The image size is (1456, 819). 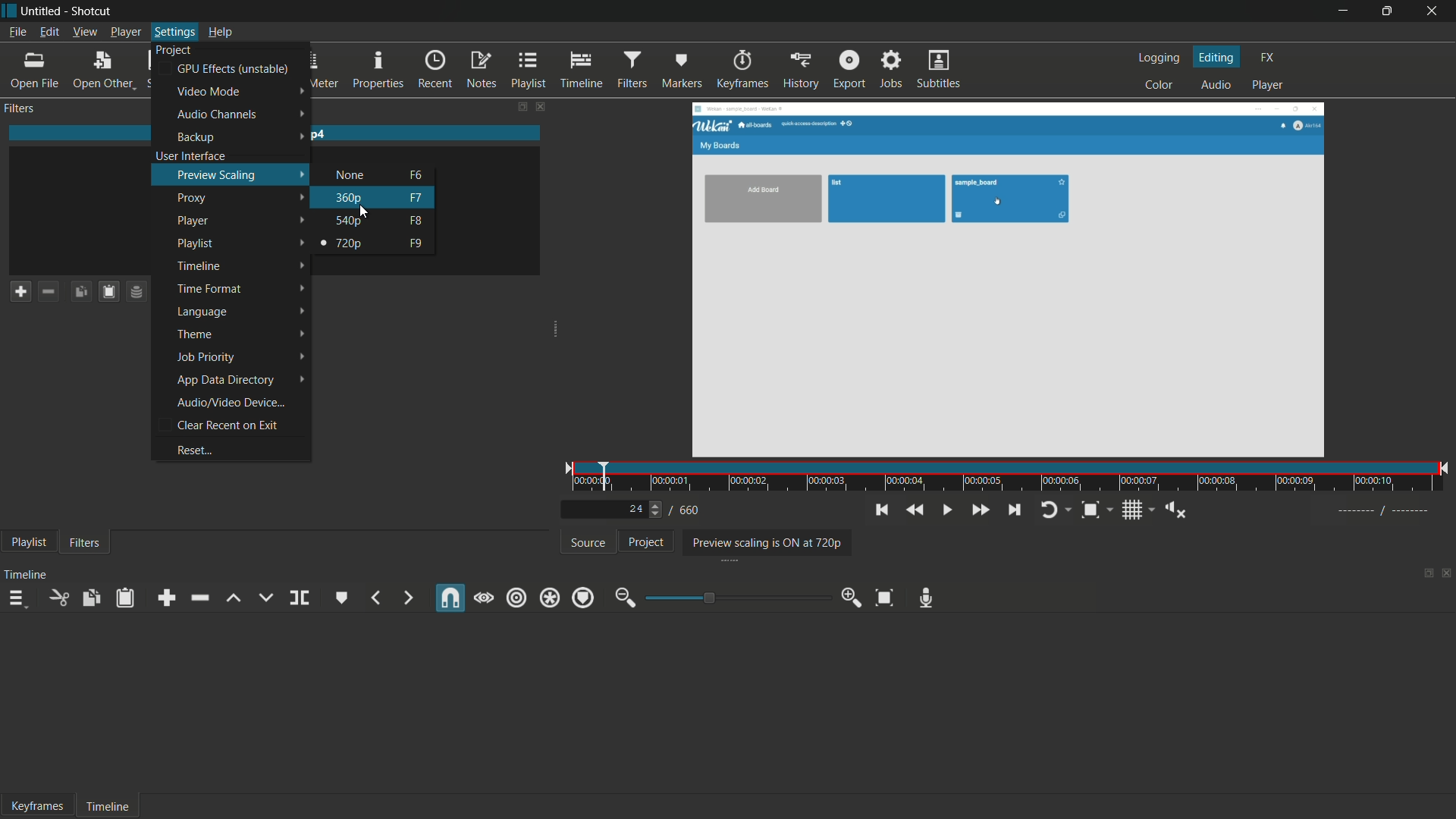 I want to click on previous marker, so click(x=375, y=598).